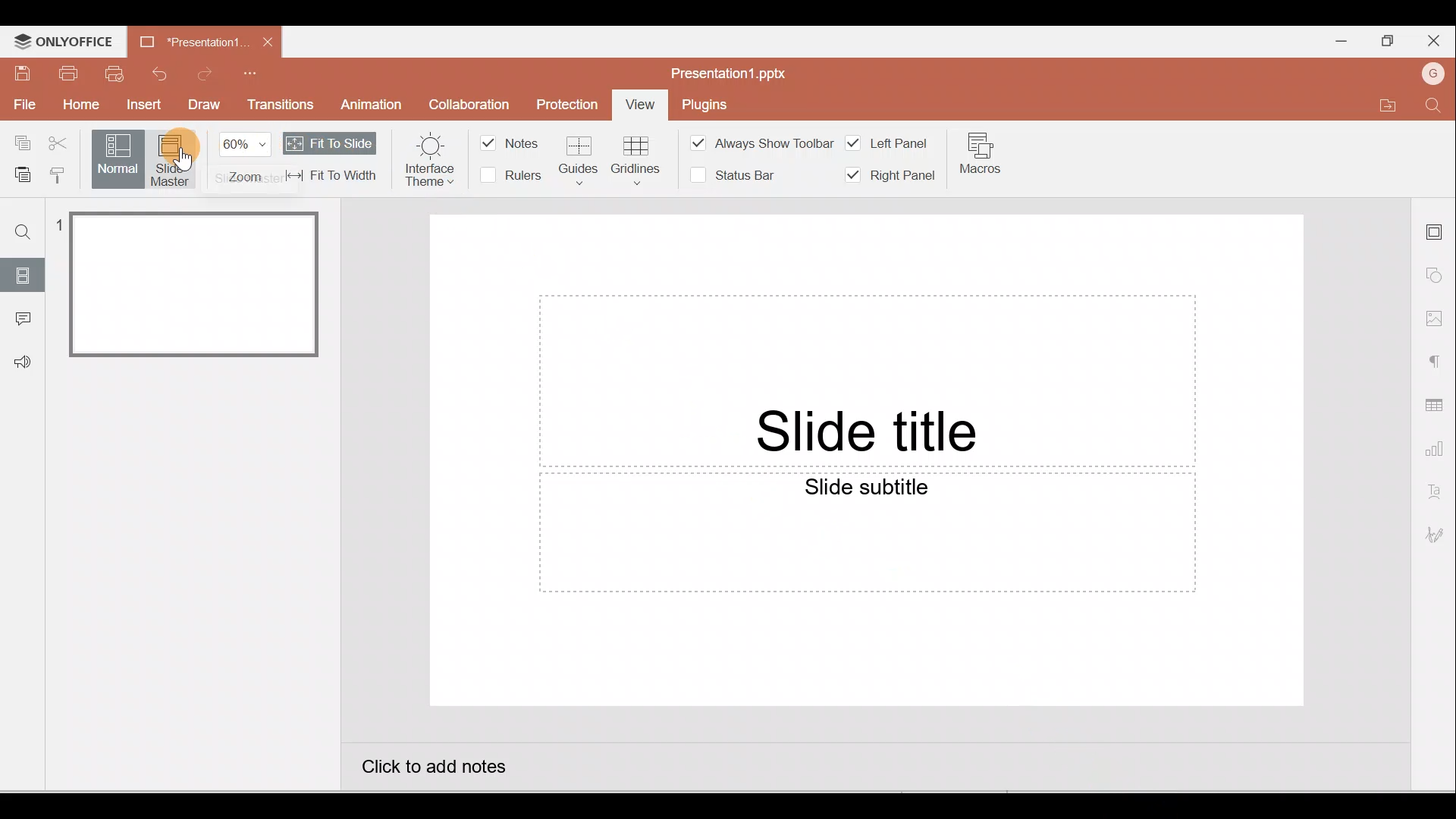 The height and width of the screenshot is (819, 1456). What do you see at coordinates (24, 274) in the screenshot?
I see `Slide` at bounding box center [24, 274].